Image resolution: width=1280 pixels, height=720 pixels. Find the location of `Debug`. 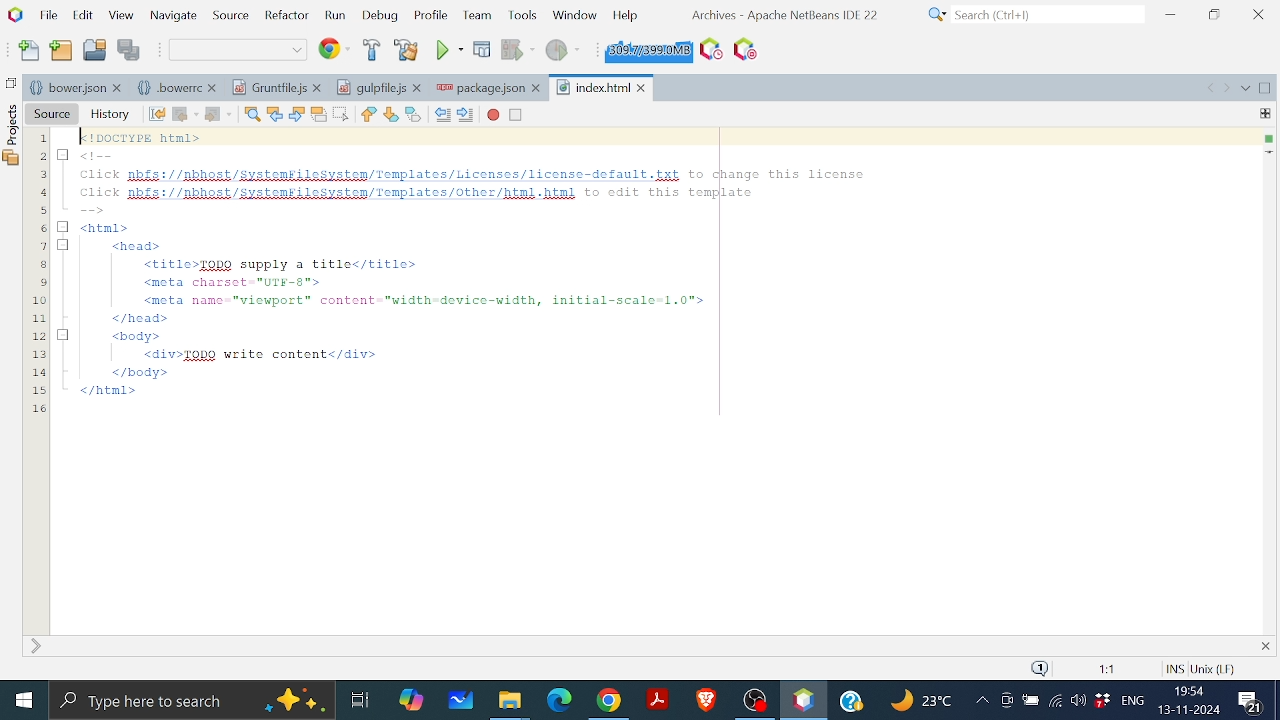

Debug is located at coordinates (481, 49).